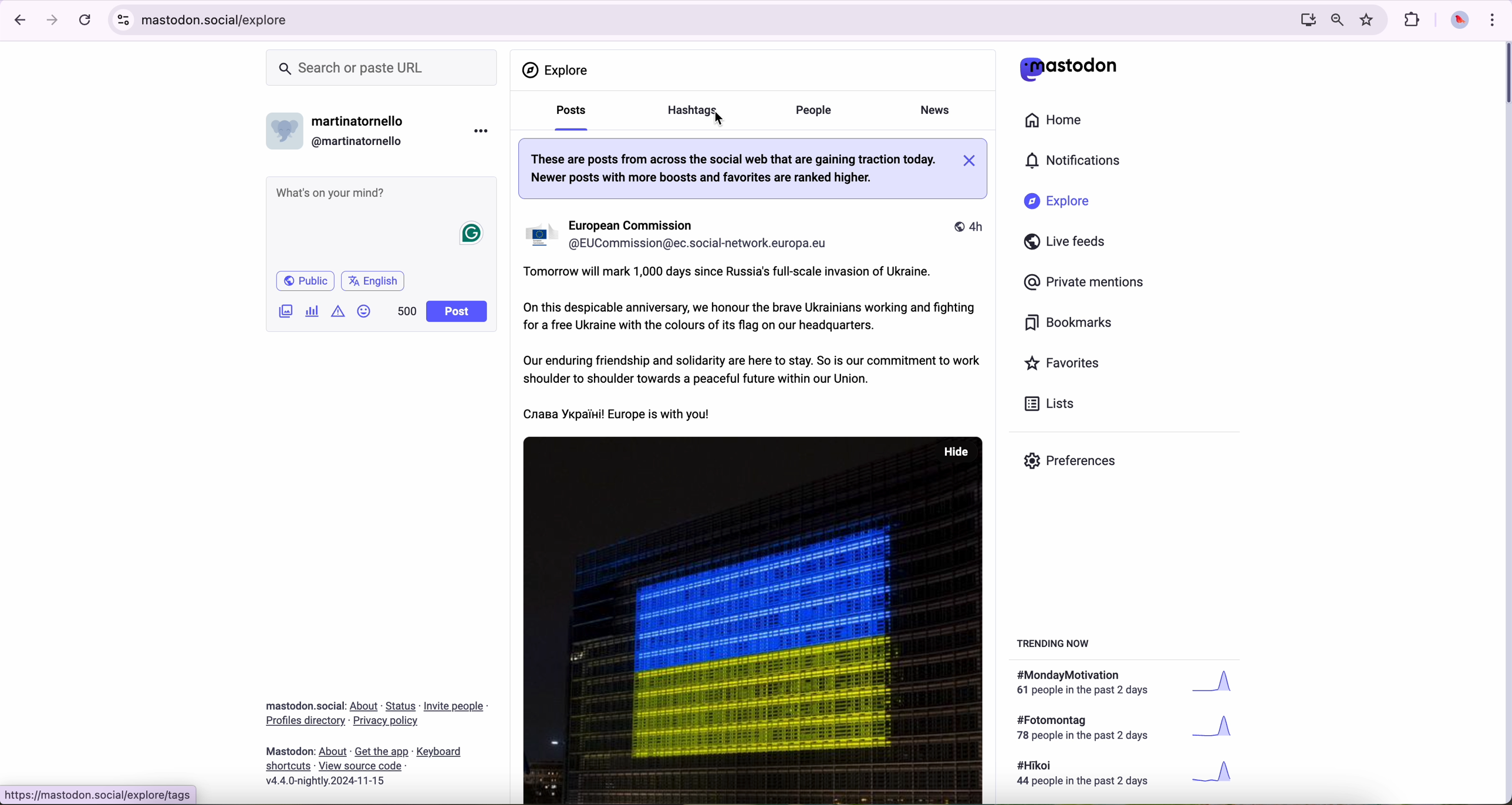 The height and width of the screenshot is (805, 1512). What do you see at coordinates (1413, 21) in the screenshot?
I see `extensions` at bounding box center [1413, 21].